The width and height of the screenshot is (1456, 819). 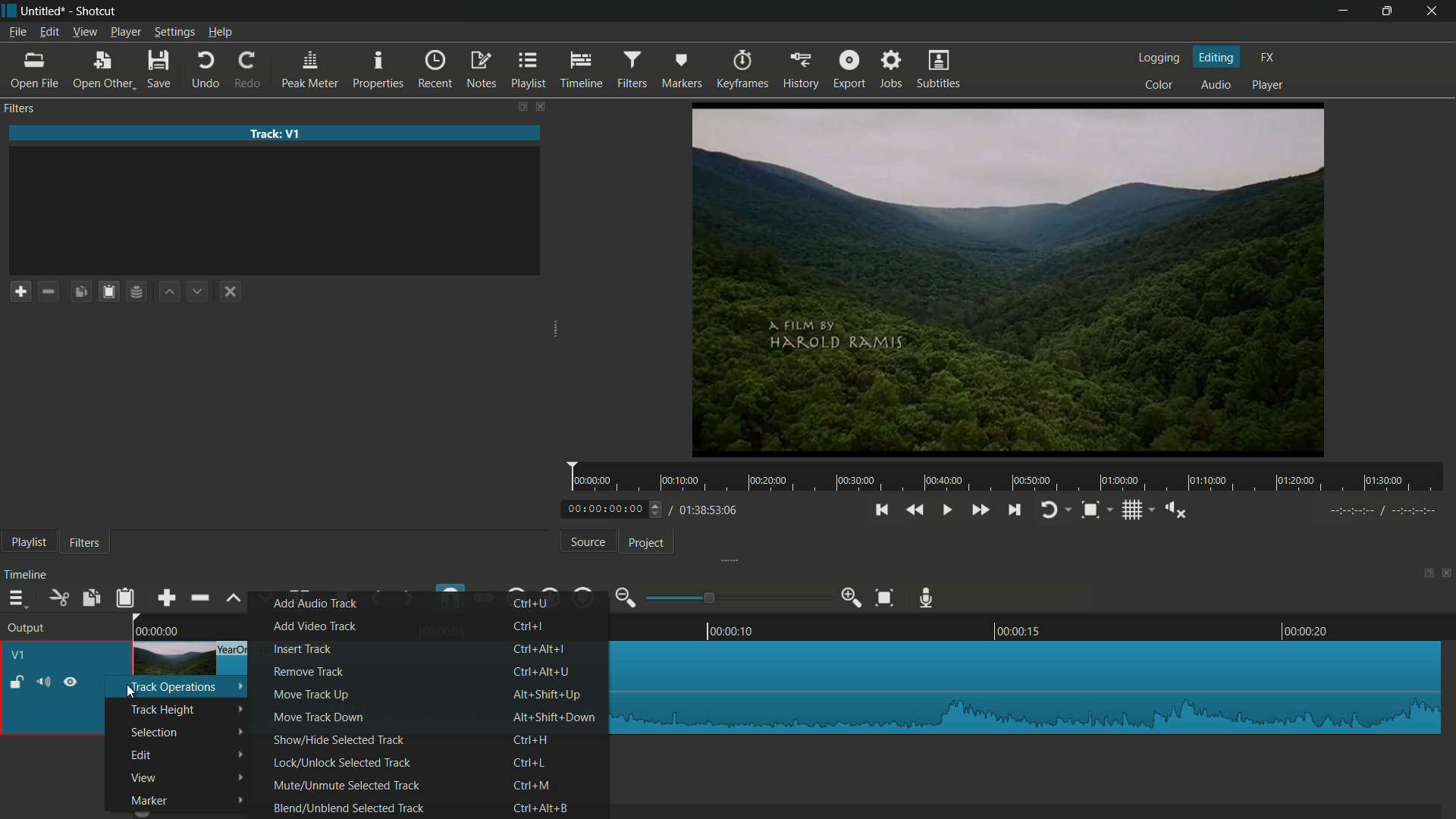 I want to click on playlist, so click(x=531, y=71).